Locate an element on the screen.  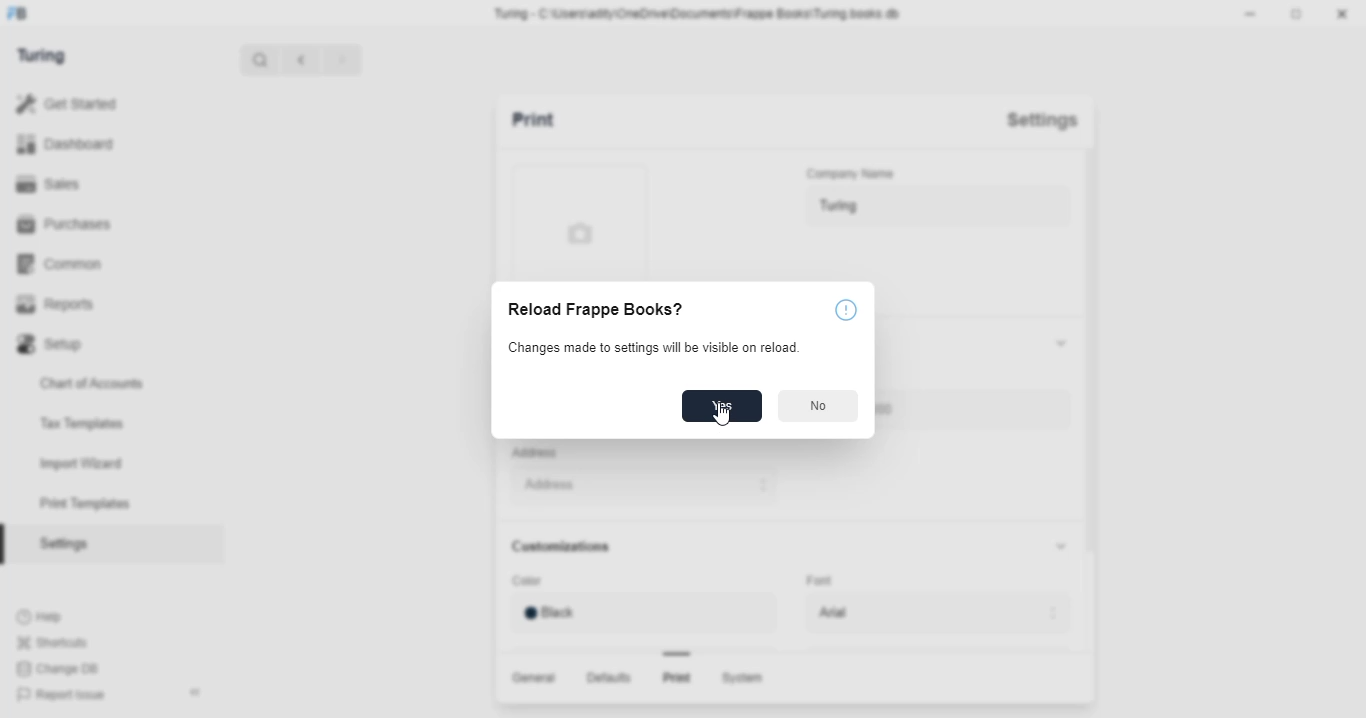
Print is located at coordinates (558, 118).